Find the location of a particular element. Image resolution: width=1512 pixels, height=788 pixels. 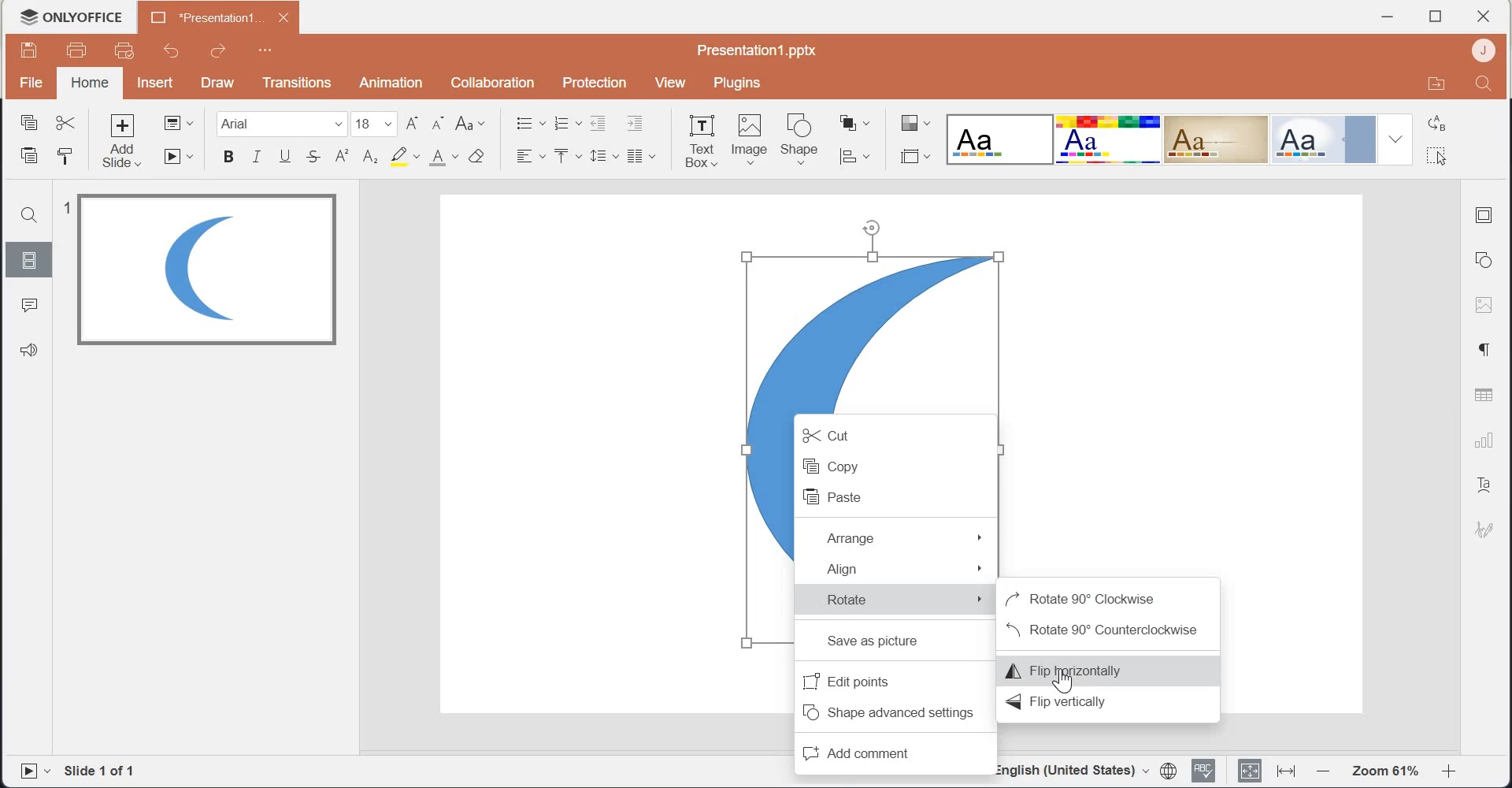

Slides is located at coordinates (28, 258).